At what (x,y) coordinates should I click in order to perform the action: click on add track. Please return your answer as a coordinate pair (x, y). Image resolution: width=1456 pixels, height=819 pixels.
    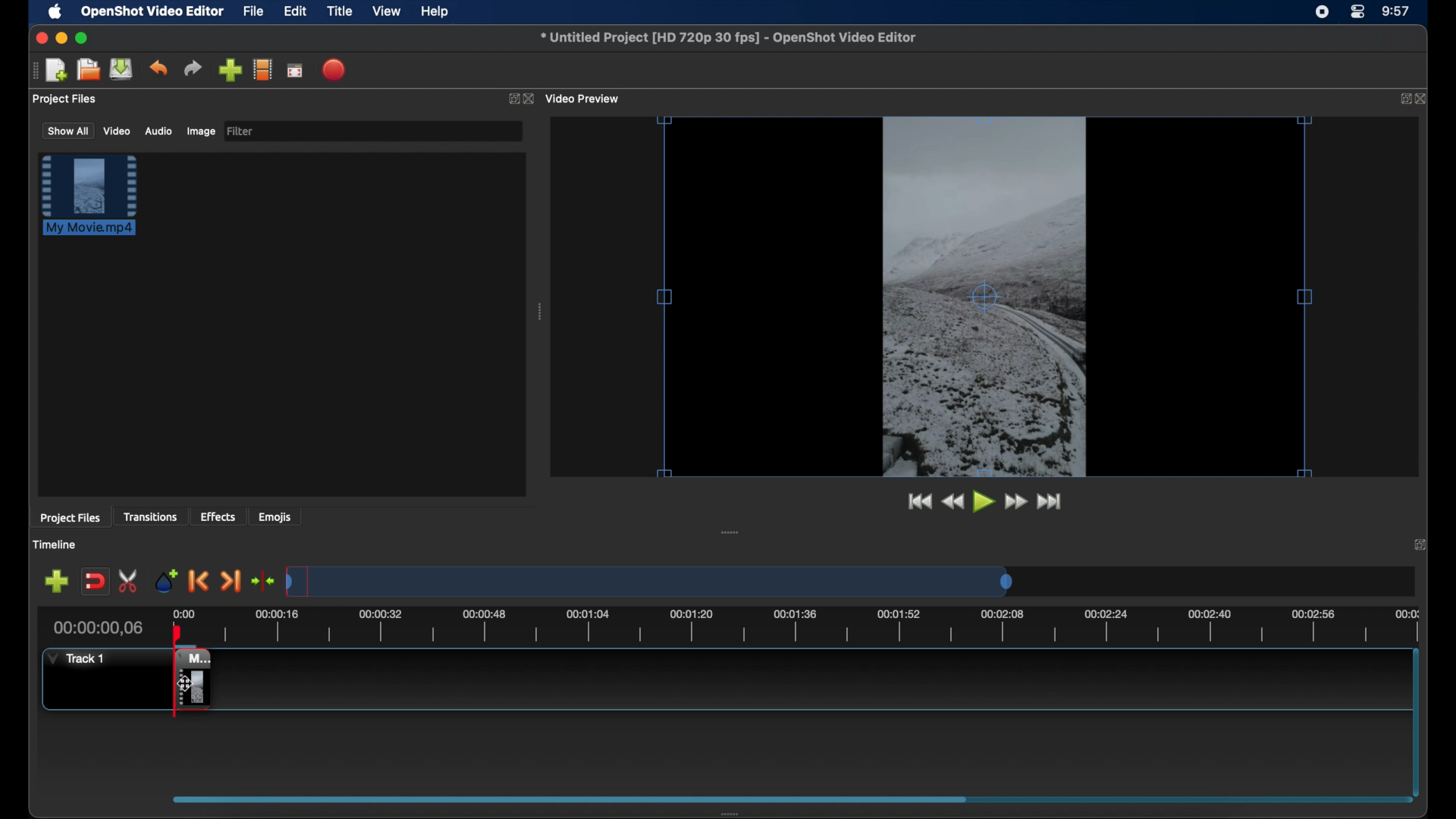
    Looking at the image, I should click on (56, 582).